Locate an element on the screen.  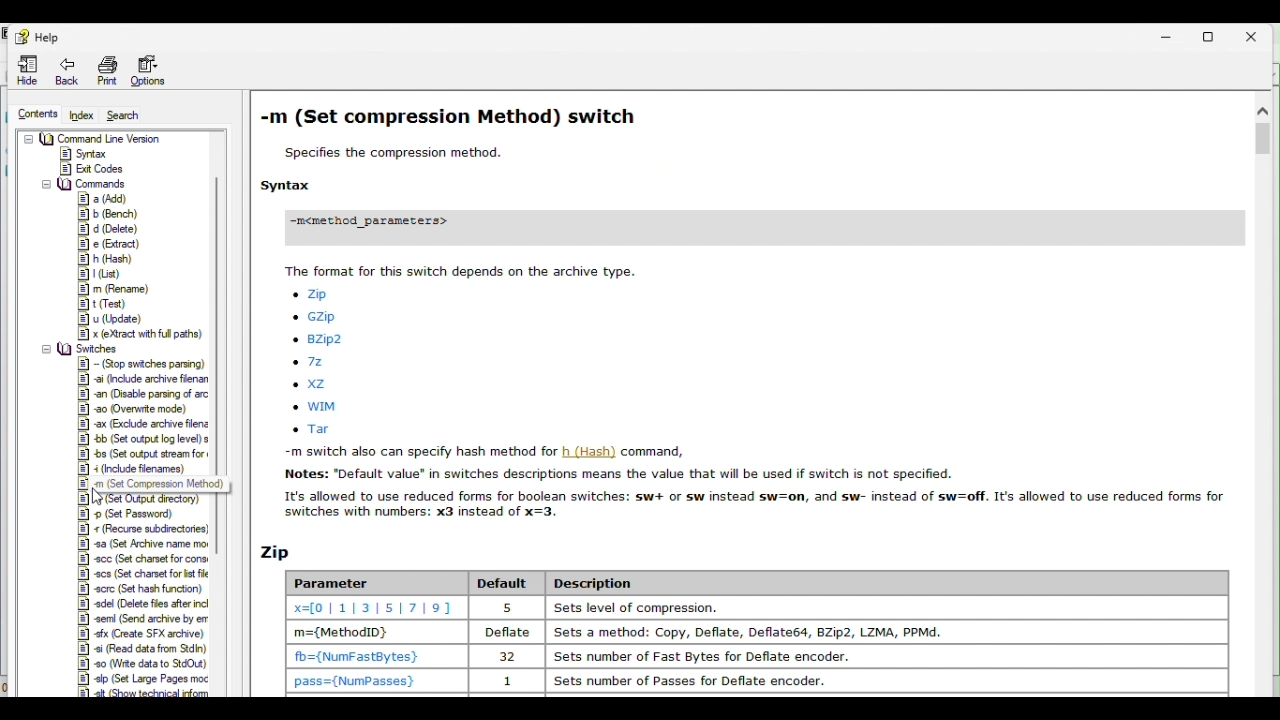
table is located at coordinates (736, 618).